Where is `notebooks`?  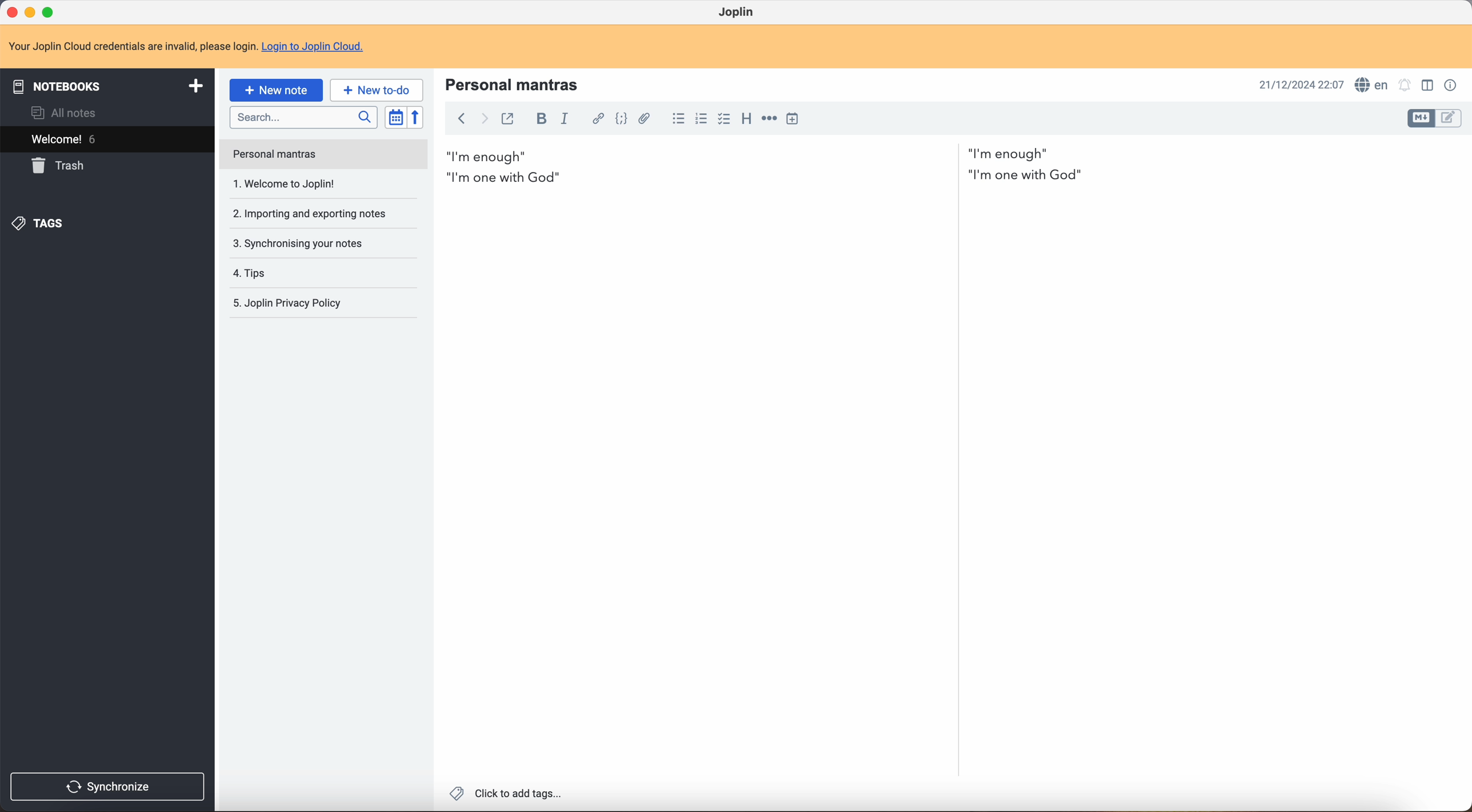 notebooks is located at coordinates (107, 85).